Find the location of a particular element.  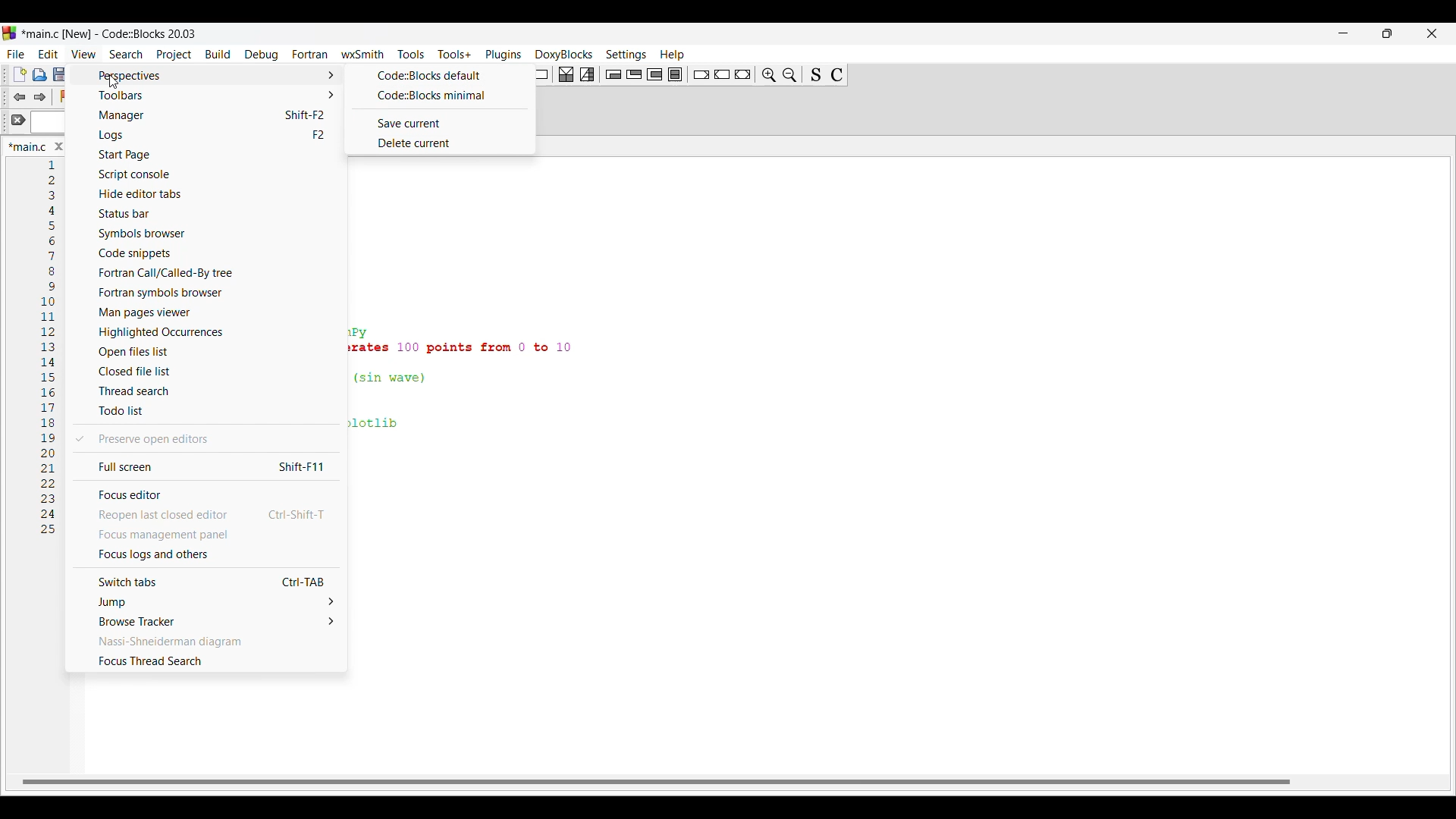

Tools+ menu is located at coordinates (455, 54).